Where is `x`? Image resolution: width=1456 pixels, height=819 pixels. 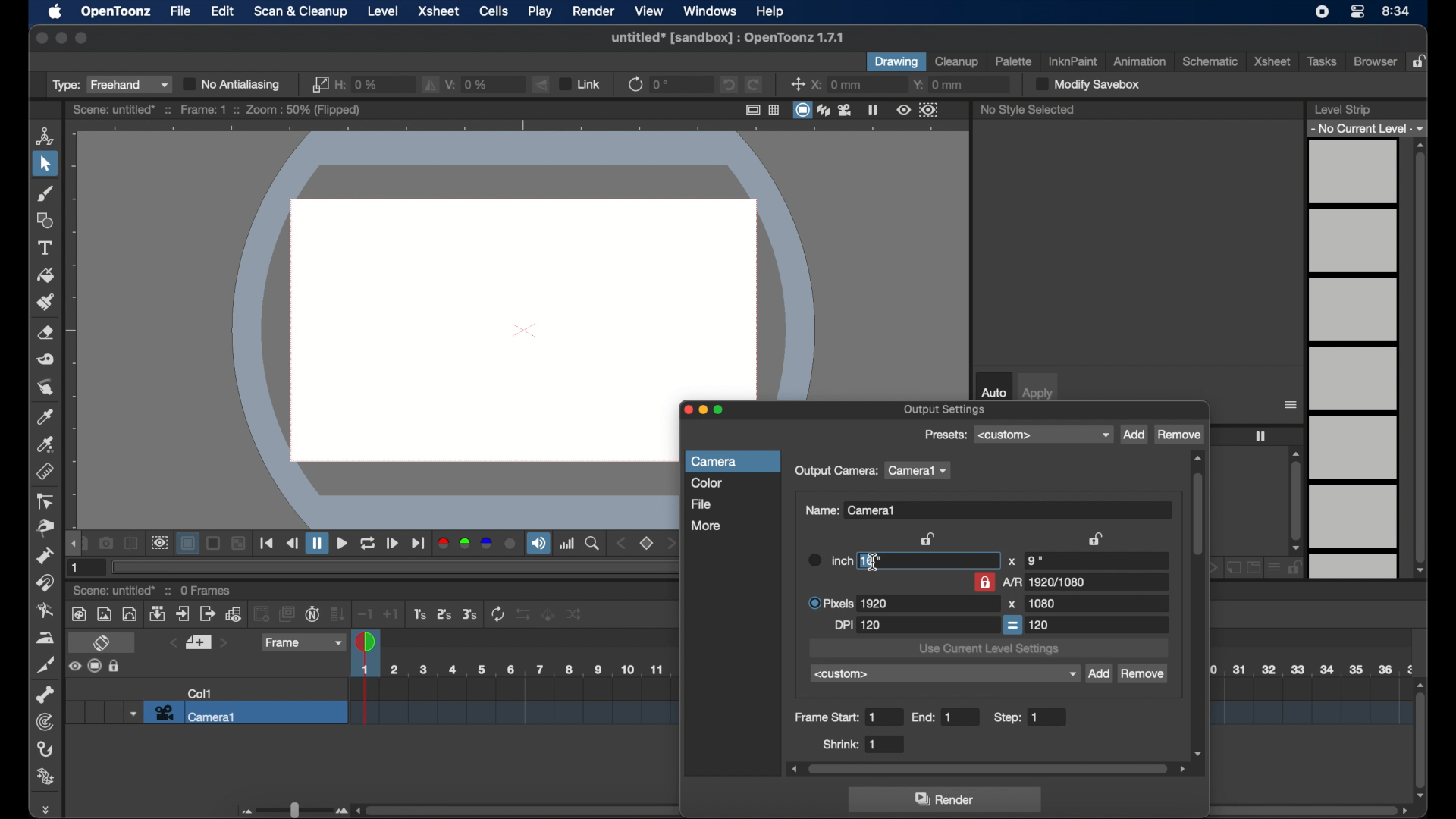 x is located at coordinates (1012, 604).